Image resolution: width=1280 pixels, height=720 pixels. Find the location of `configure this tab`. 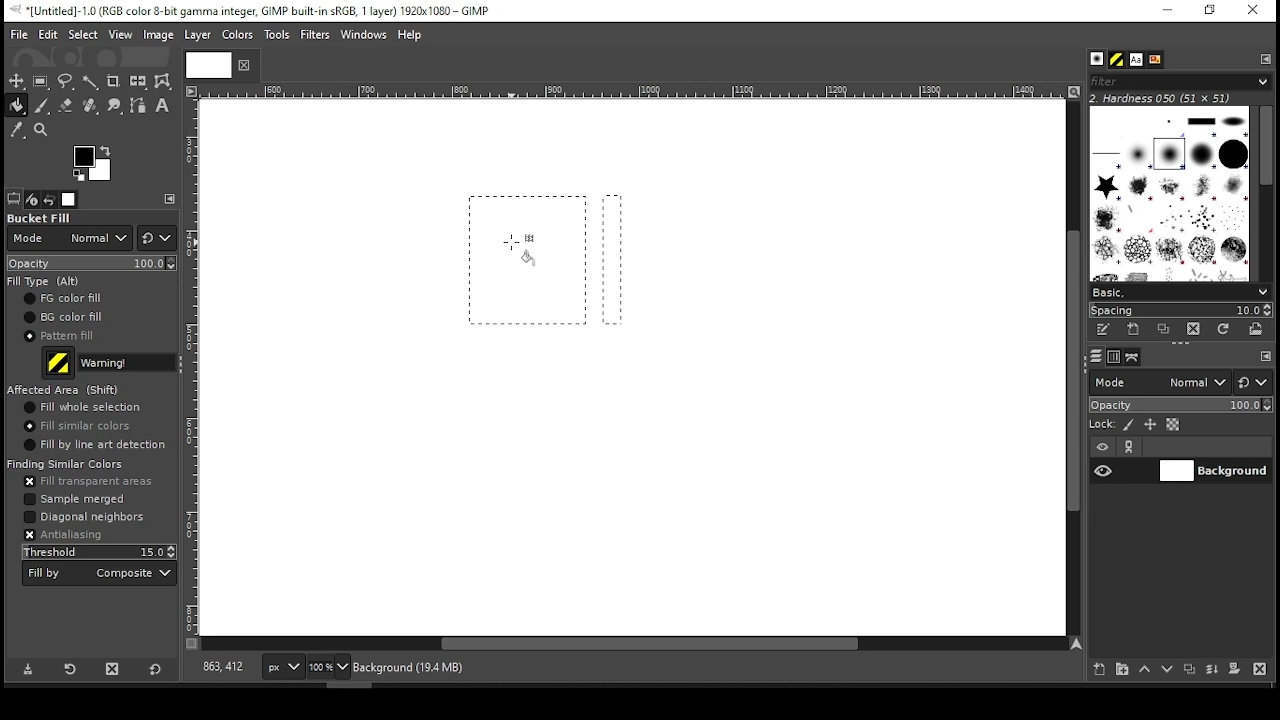

configure this tab is located at coordinates (1267, 58).